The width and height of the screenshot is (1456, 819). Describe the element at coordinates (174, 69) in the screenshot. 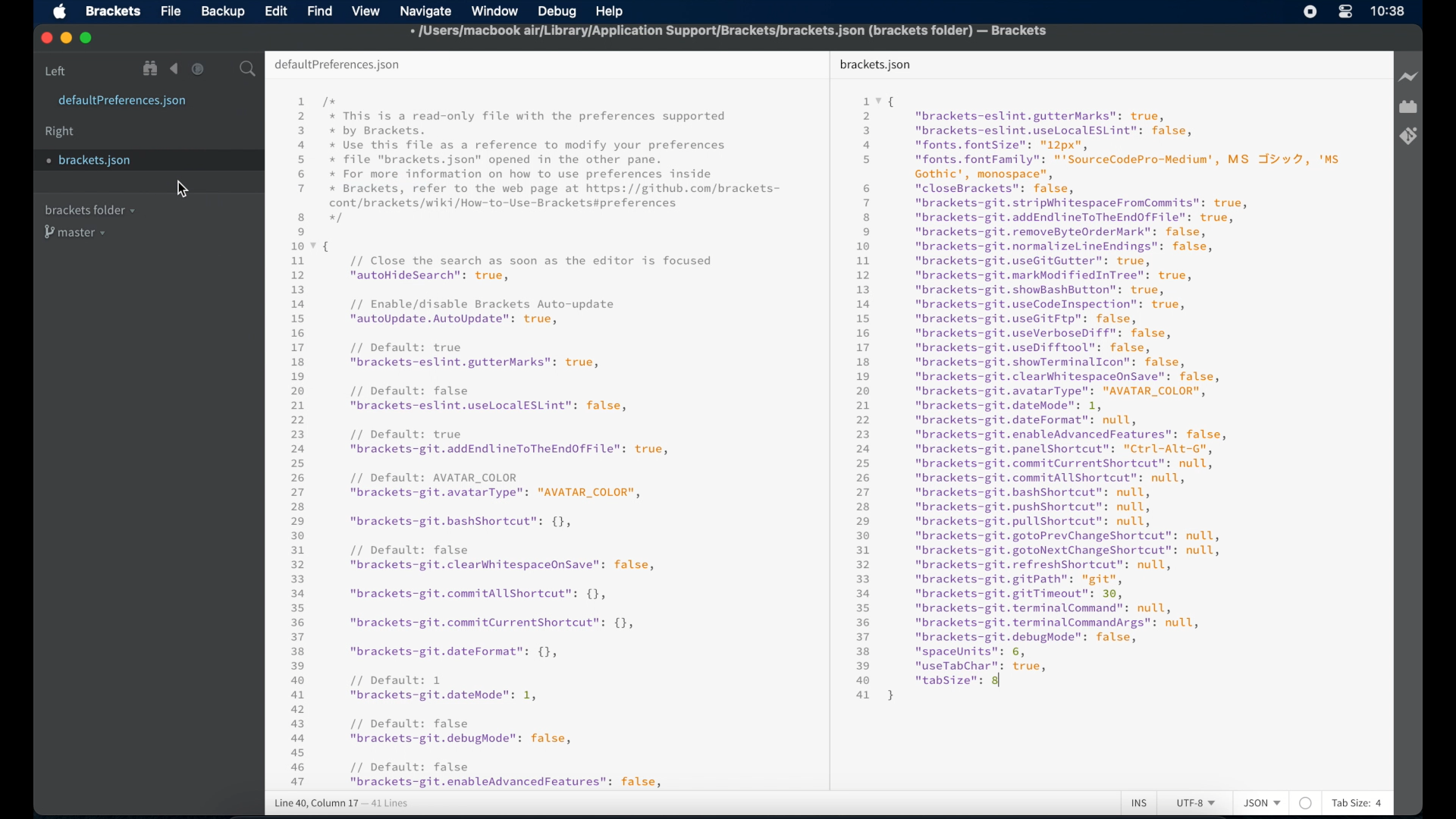

I see `navigate backward` at that location.